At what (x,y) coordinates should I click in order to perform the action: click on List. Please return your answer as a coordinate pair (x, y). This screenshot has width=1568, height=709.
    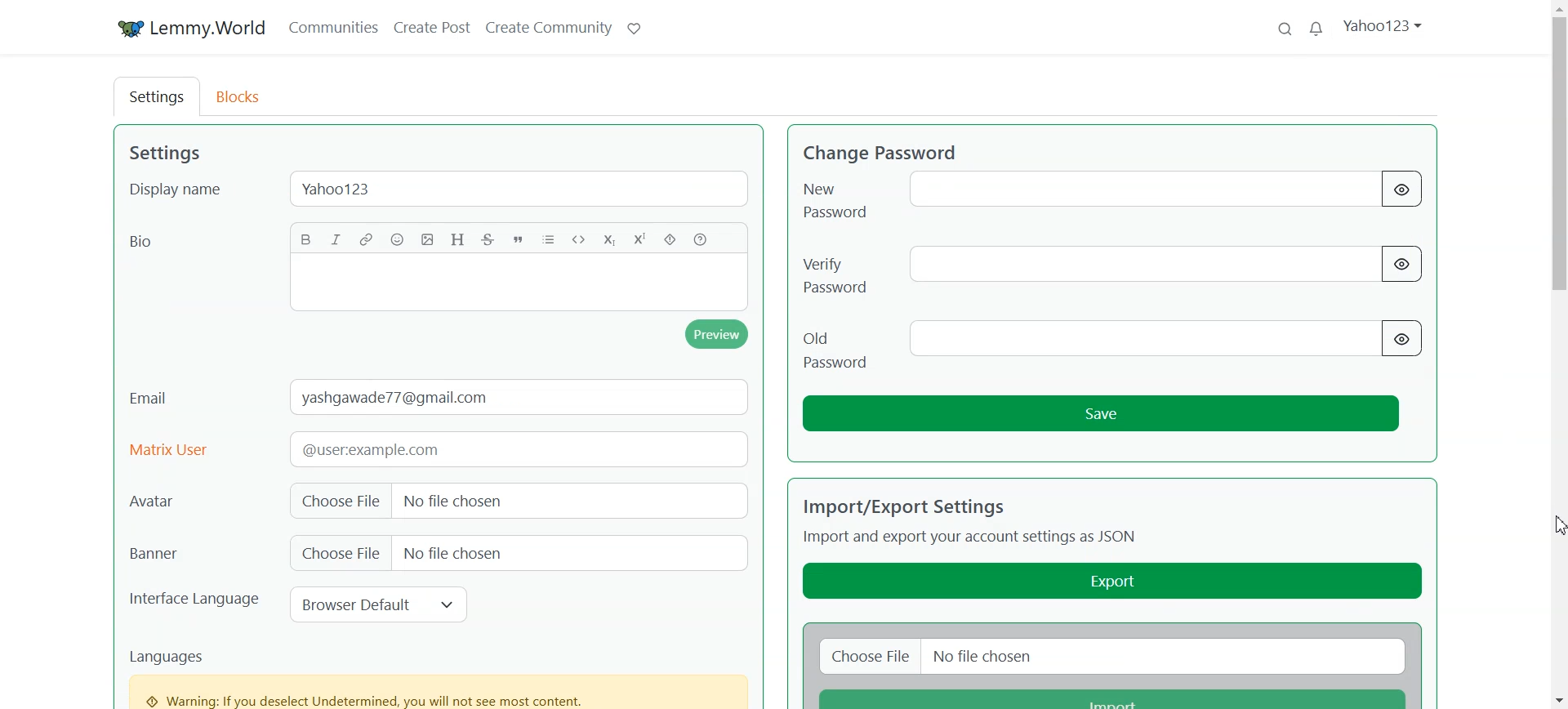
    Looking at the image, I should click on (549, 238).